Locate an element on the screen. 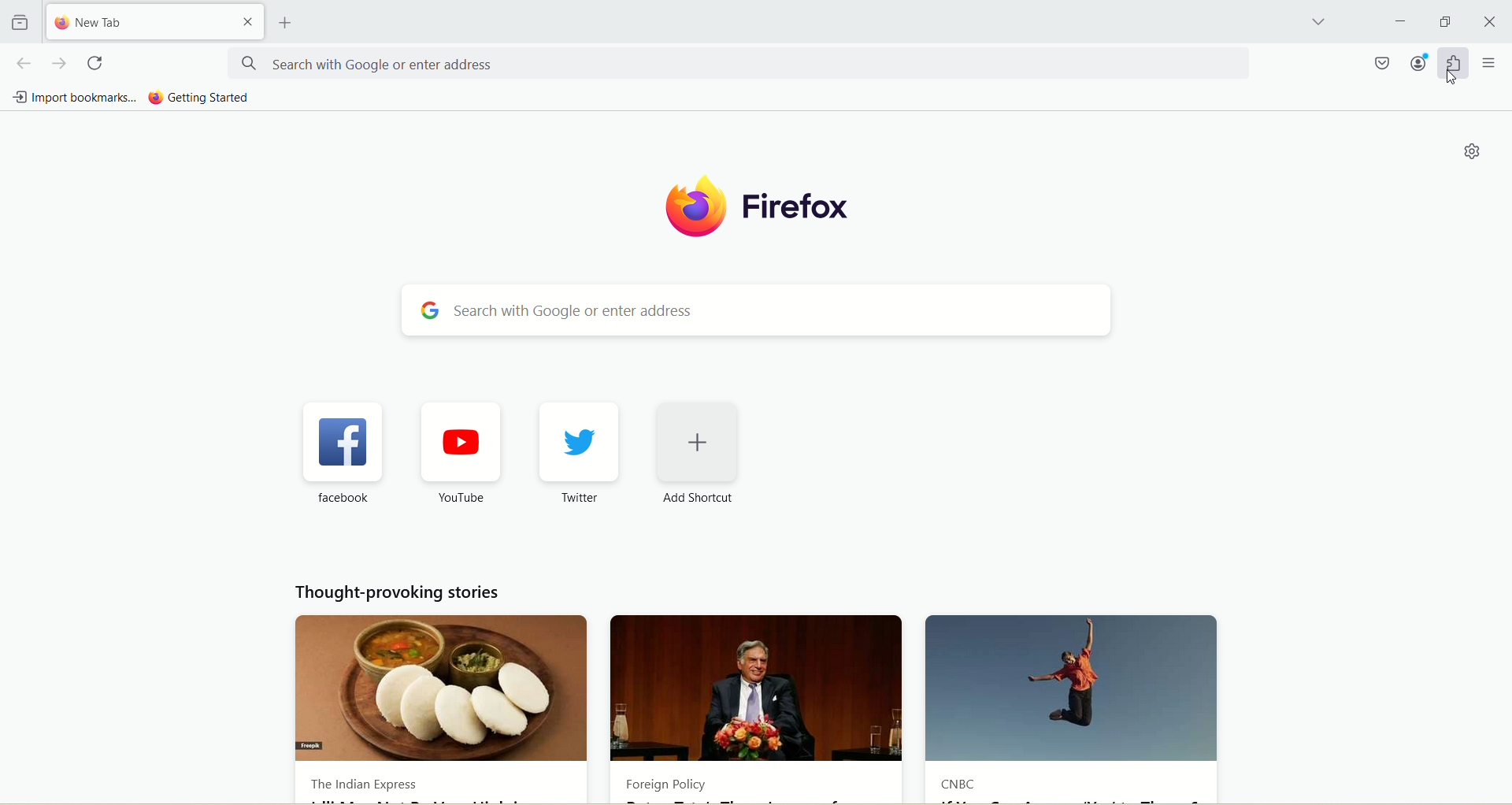 The image size is (1512, 805). Search bar is located at coordinates (738, 63).